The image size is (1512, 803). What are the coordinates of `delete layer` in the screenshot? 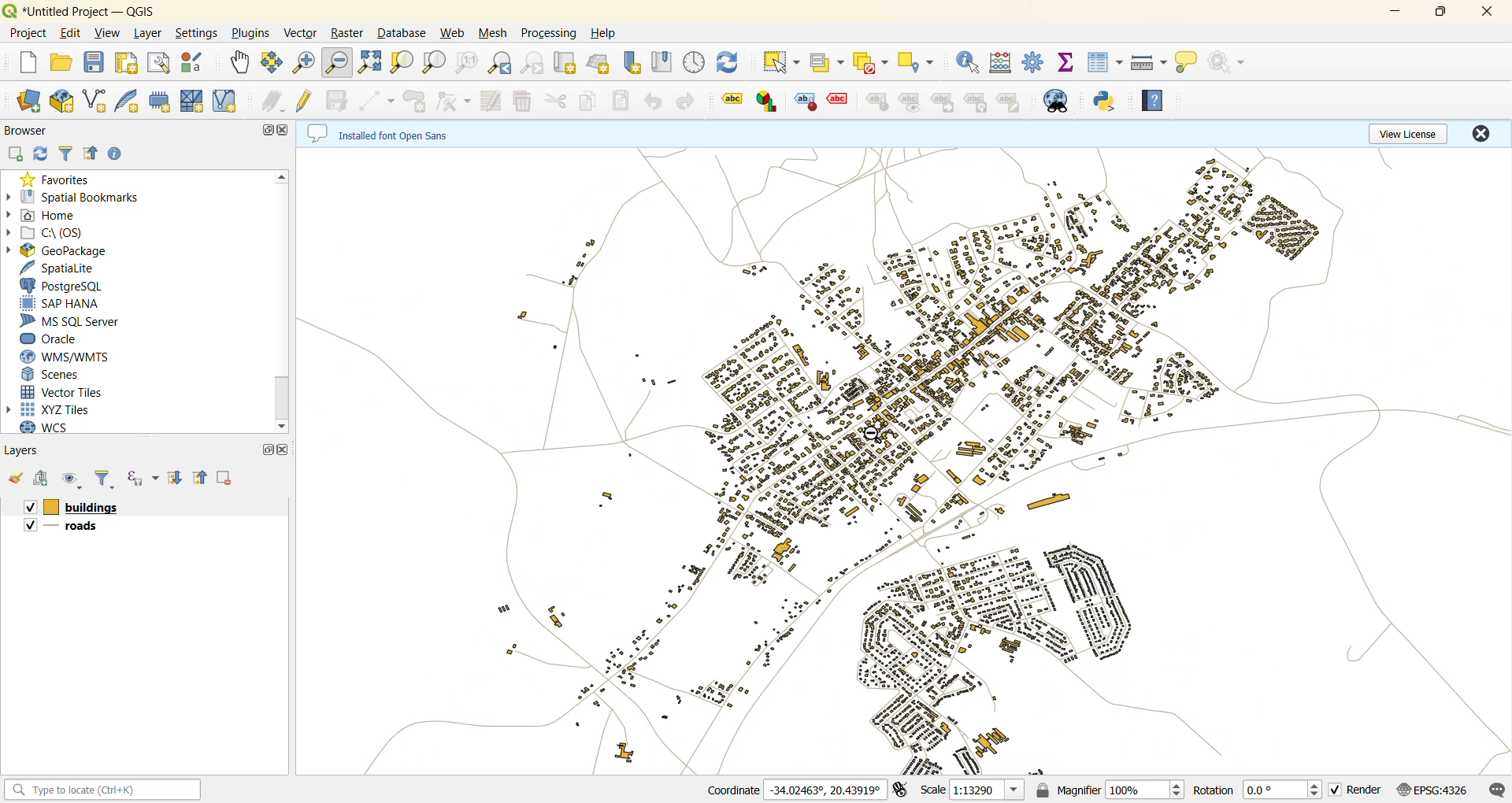 It's located at (227, 478).